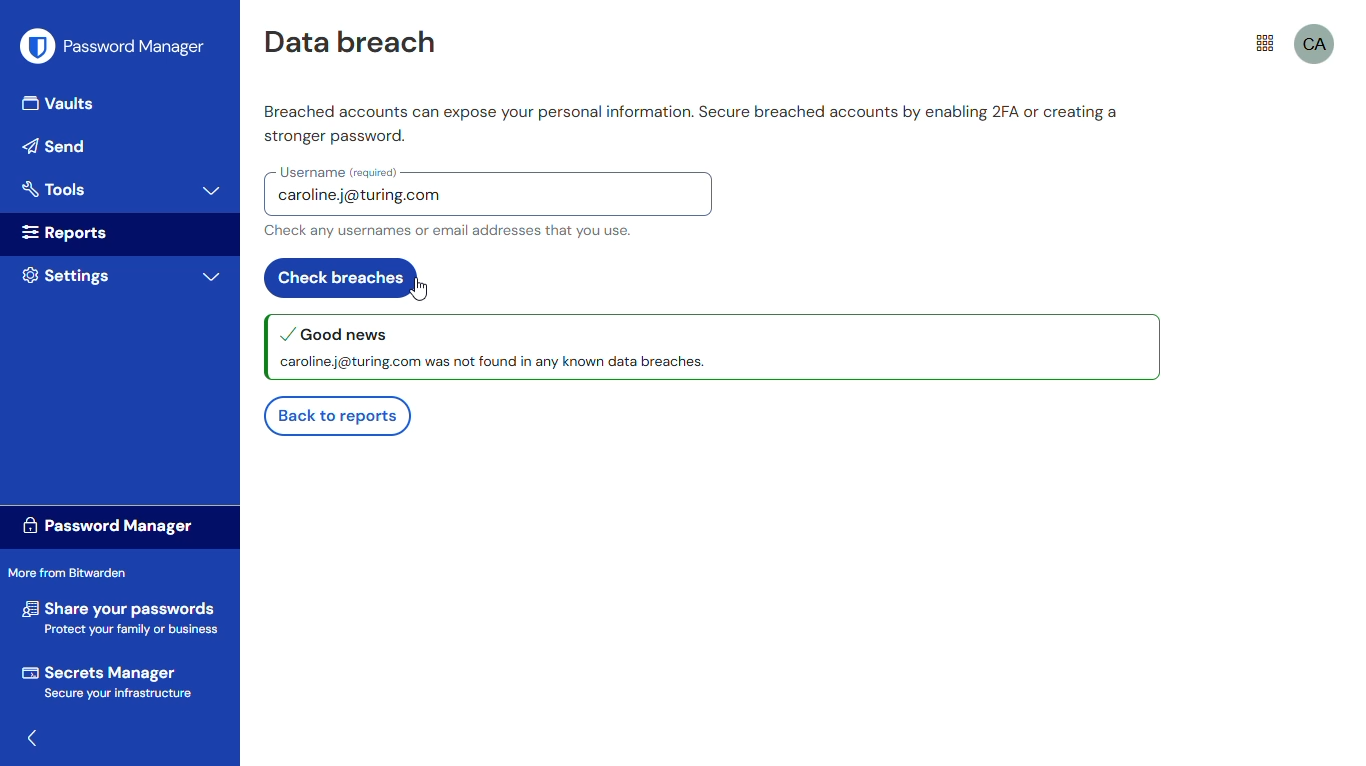 The image size is (1366, 766). I want to click on cursor, so click(419, 289).